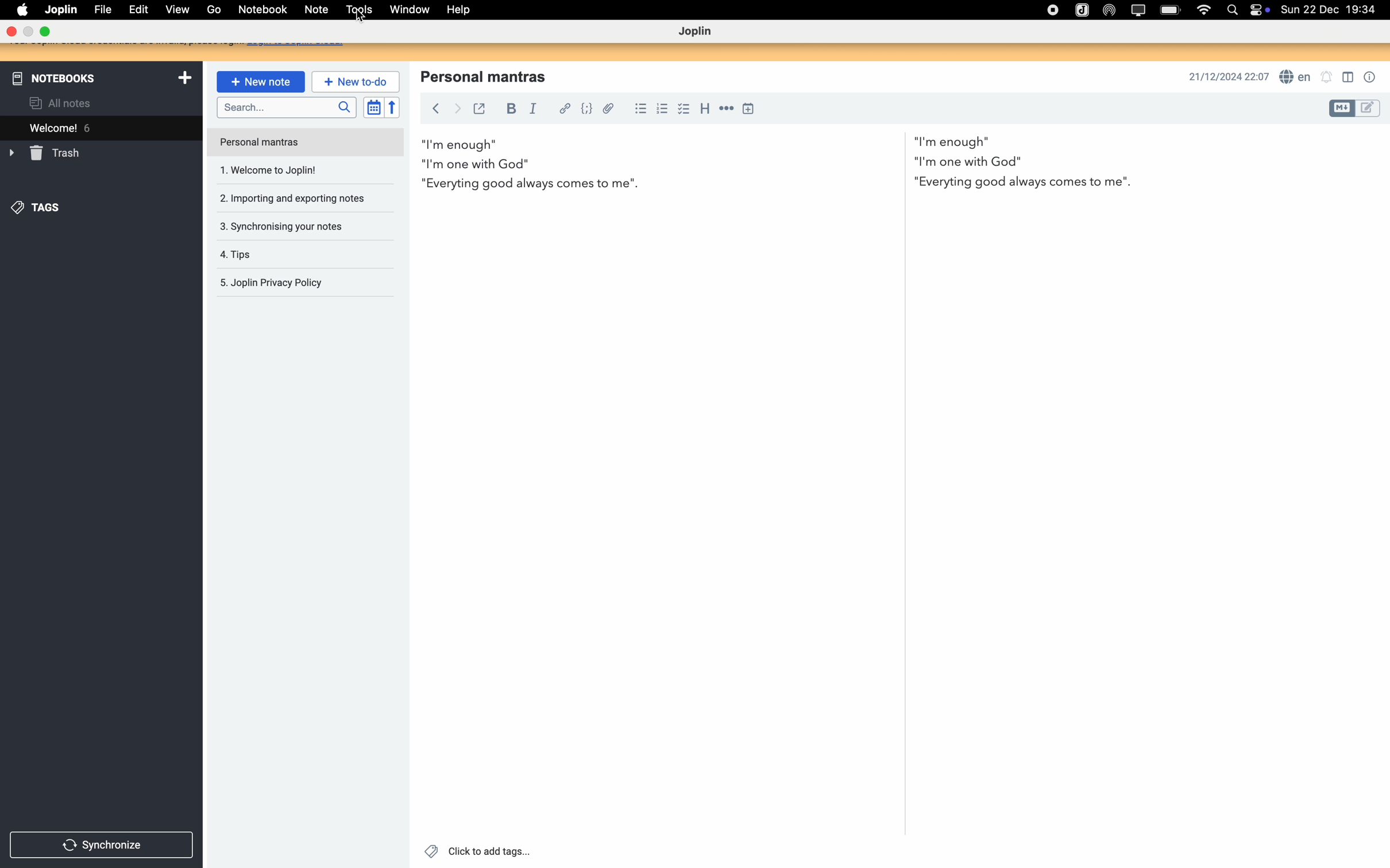  What do you see at coordinates (490, 75) in the screenshot?
I see `title` at bounding box center [490, 75].